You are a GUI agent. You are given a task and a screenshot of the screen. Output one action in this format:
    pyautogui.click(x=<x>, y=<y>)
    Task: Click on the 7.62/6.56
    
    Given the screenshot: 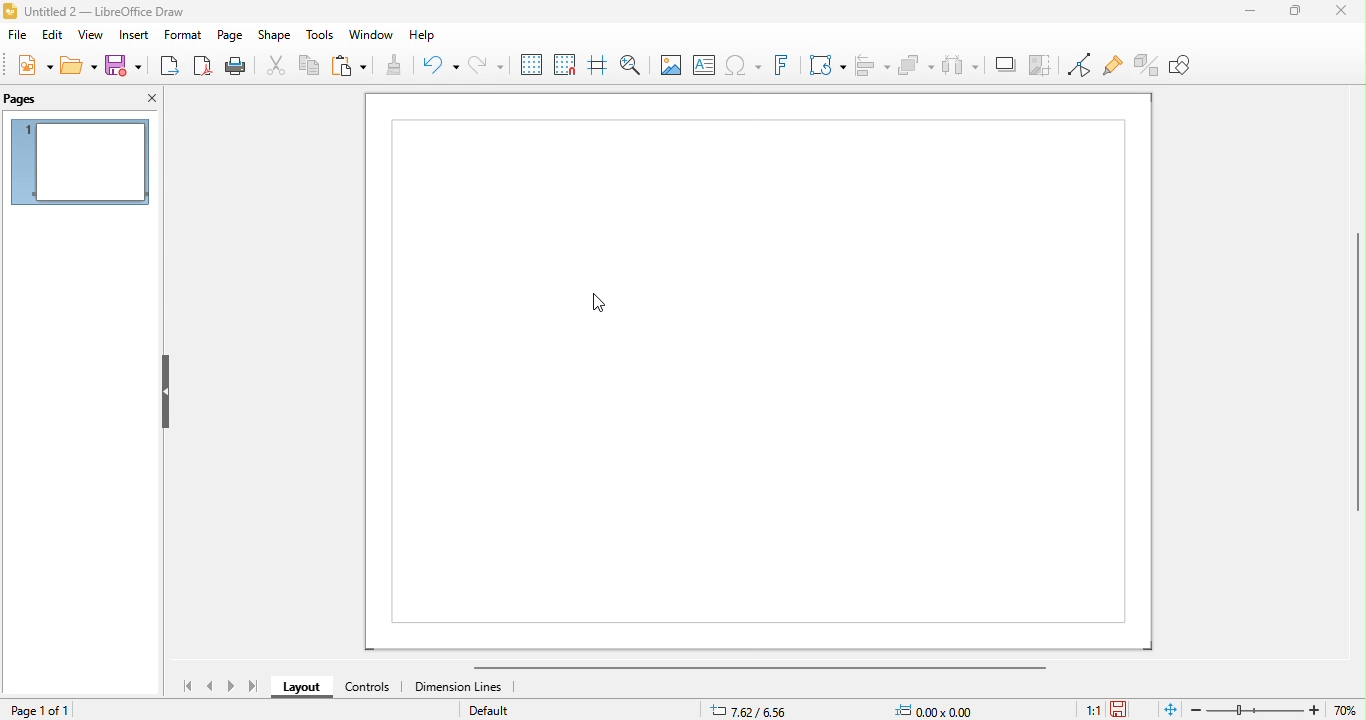 What is the action you would take?
    pyautogui.click(x=752, y=709)
    